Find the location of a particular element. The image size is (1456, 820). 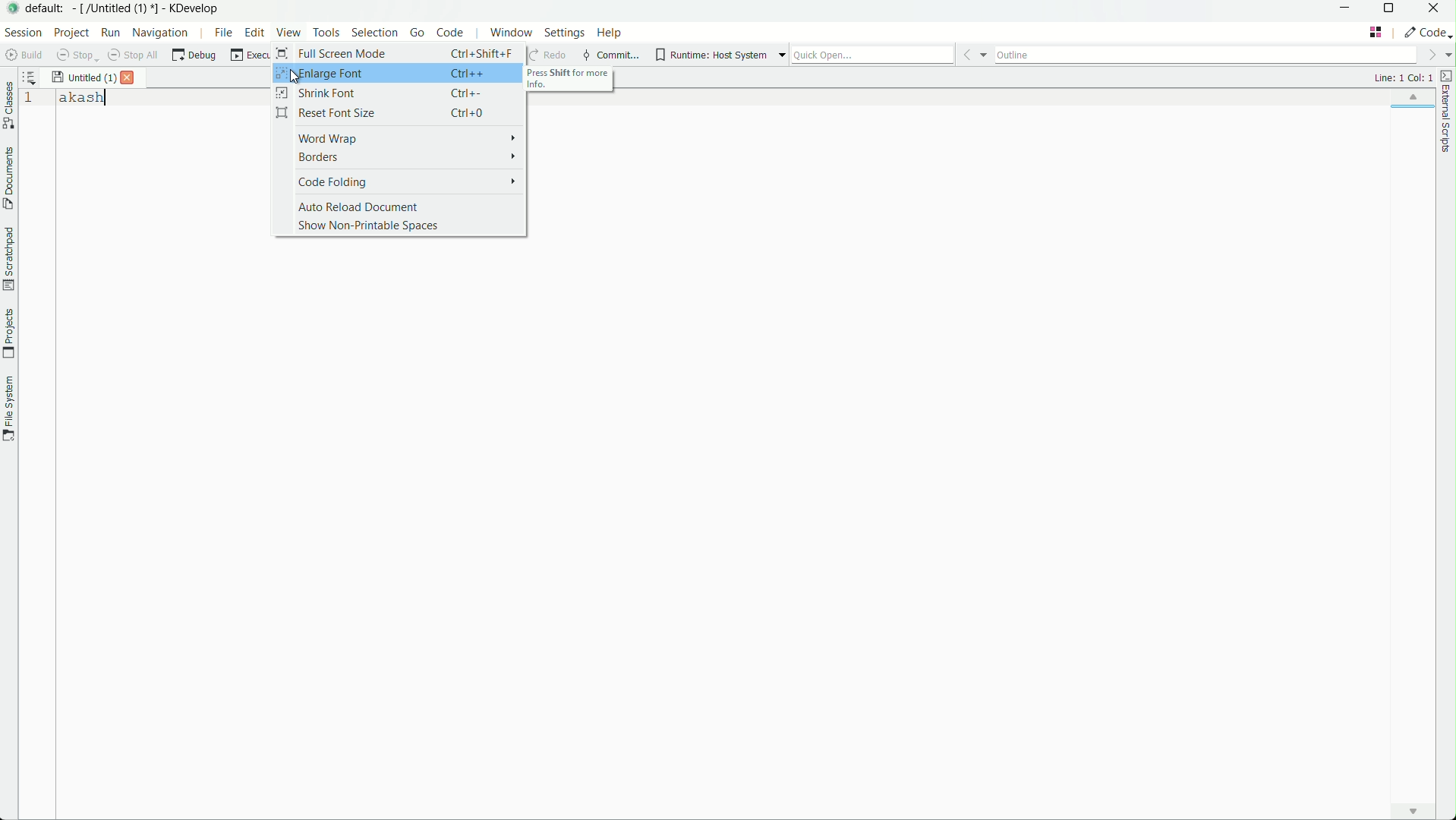

press shift for more info is located at coordinates (571, 80).